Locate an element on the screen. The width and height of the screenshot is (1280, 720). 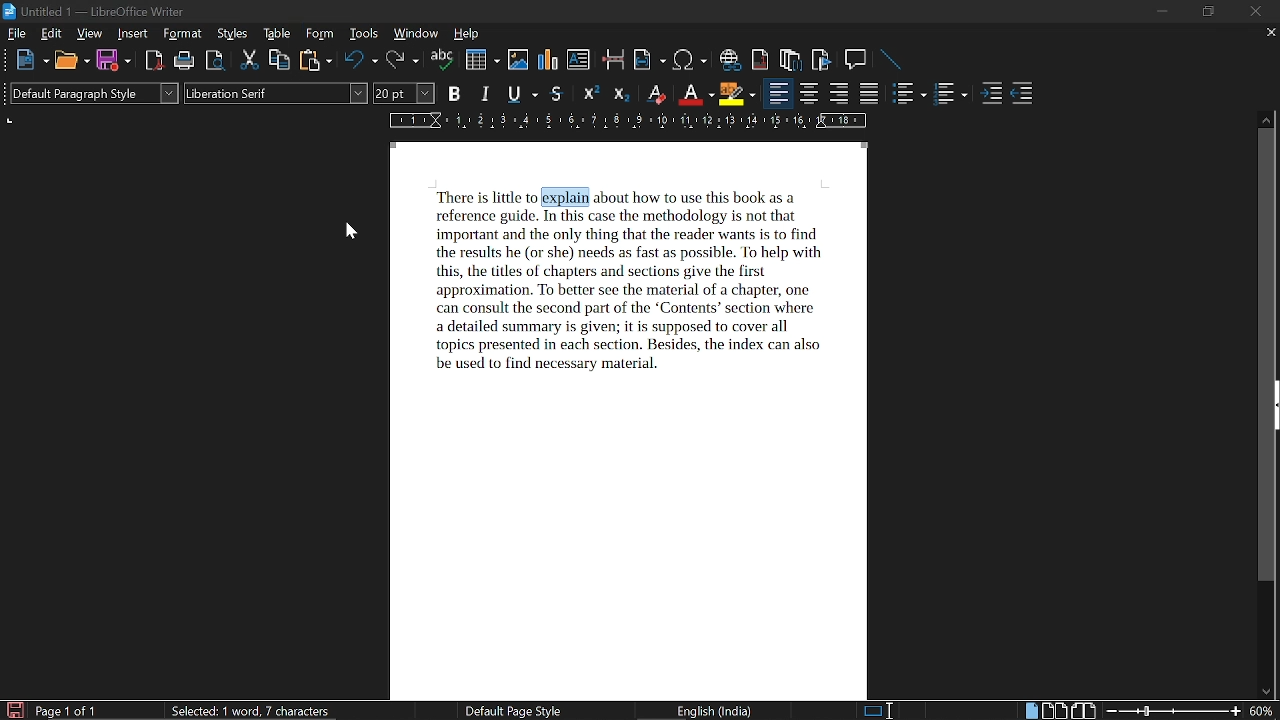
align right is located at coordinates (841, 94).